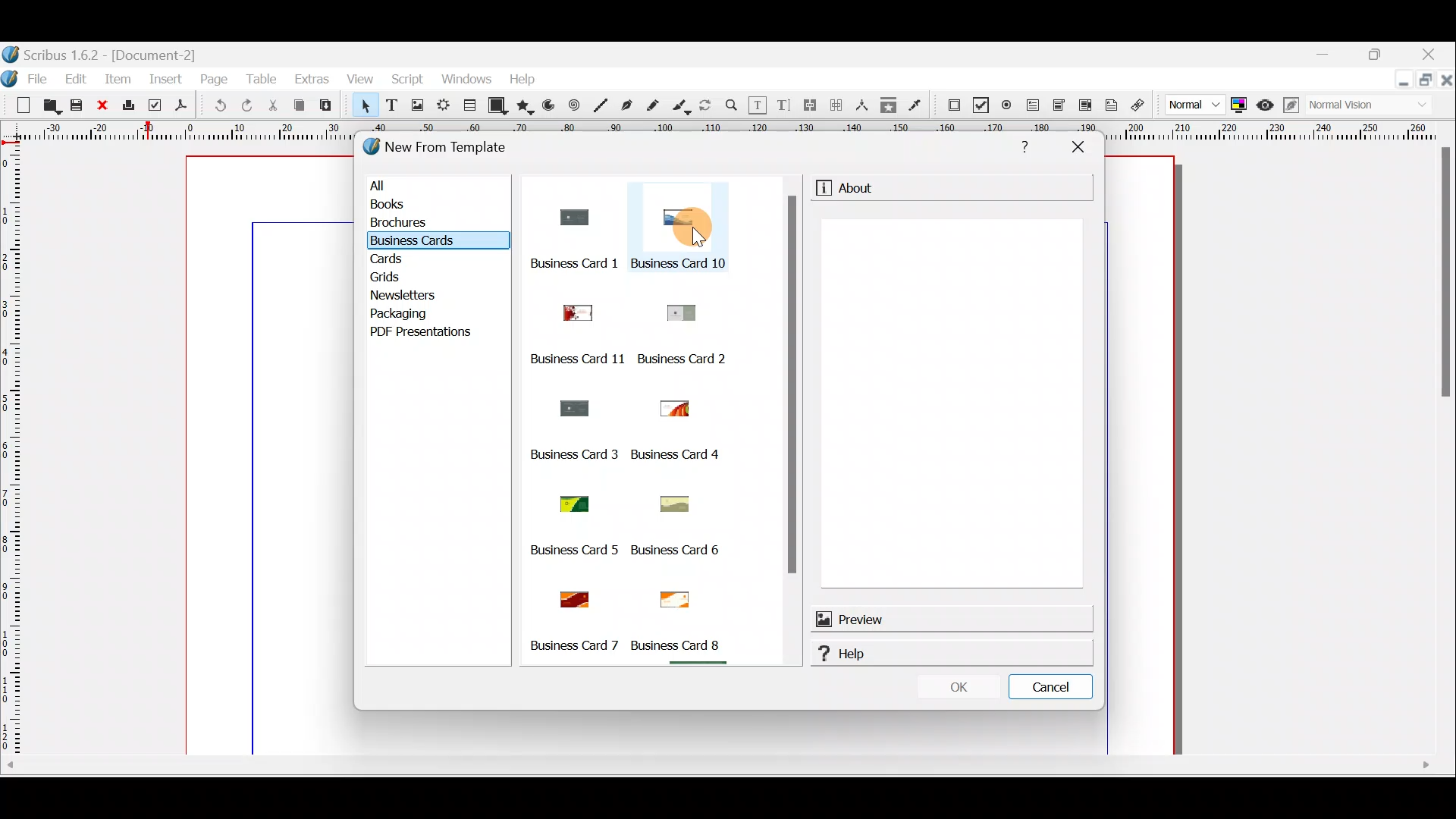  I want to click on Brochures, so click(430, 227).